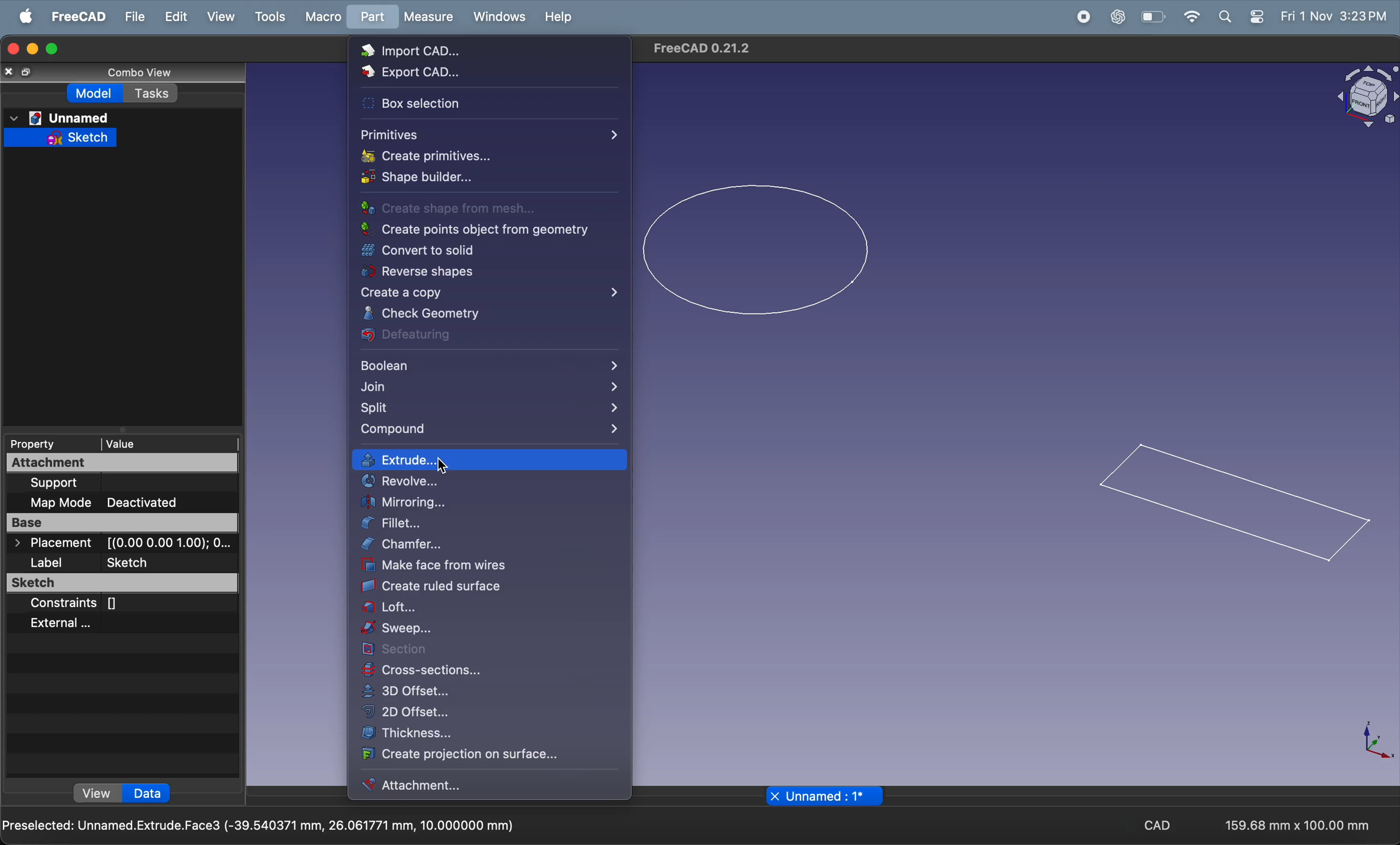  Describe the element at coordinates (488, 314) in the screenshot. I see `Check Geometry` at that location.